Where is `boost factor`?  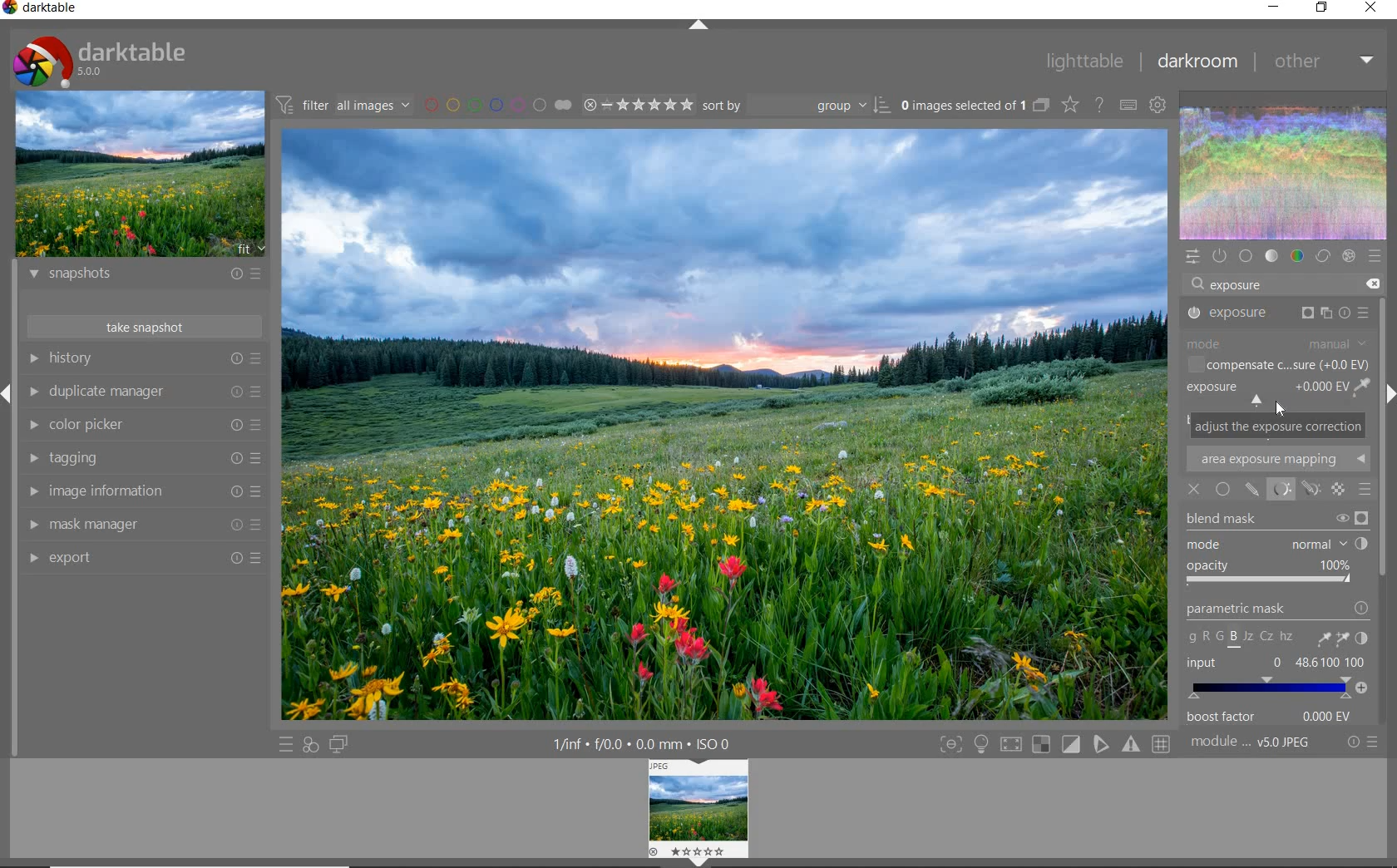
boost factor is located at coordinates (1276, 718).